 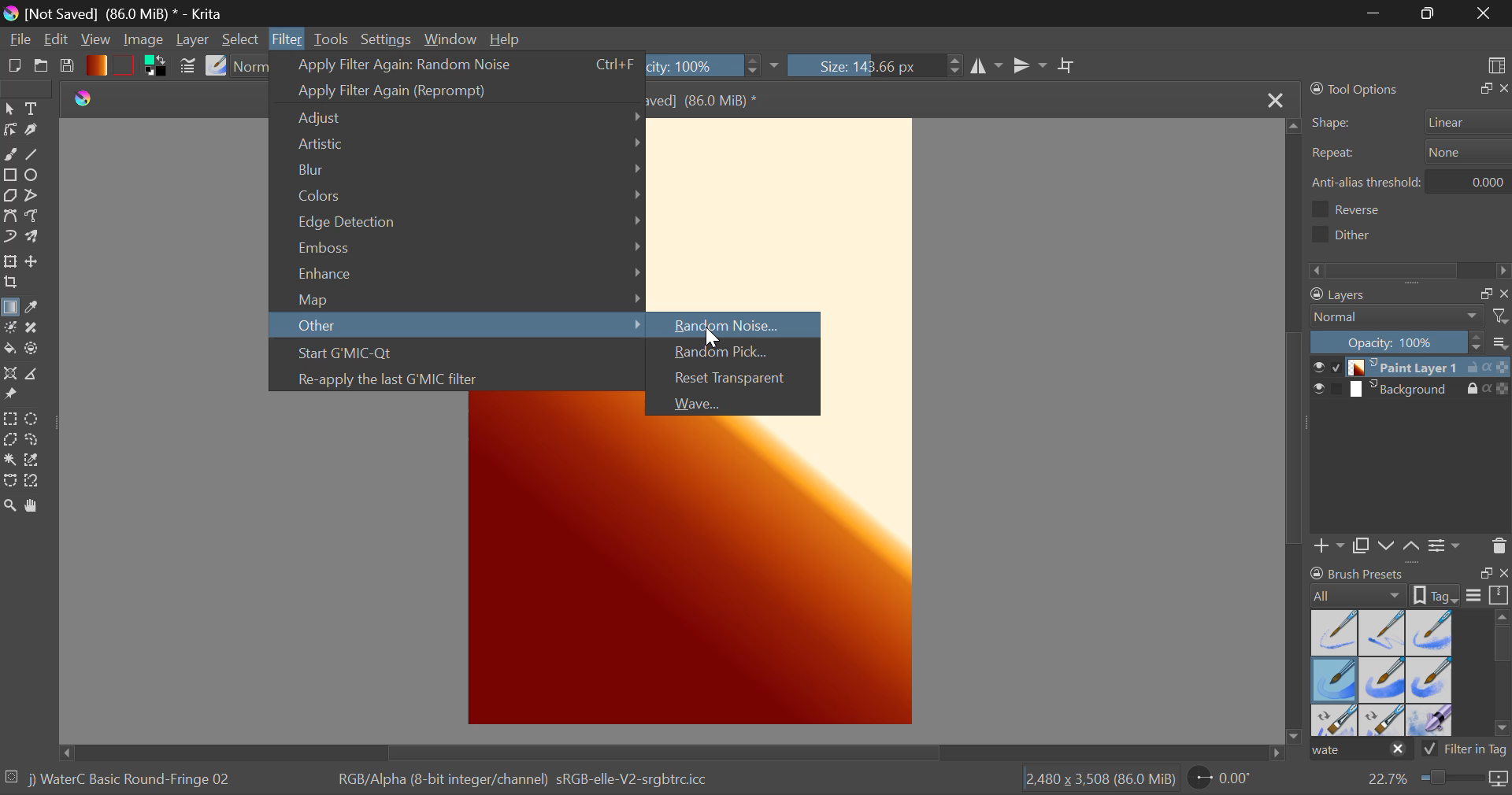 I want to click on Select, so click(x=9, y=109).